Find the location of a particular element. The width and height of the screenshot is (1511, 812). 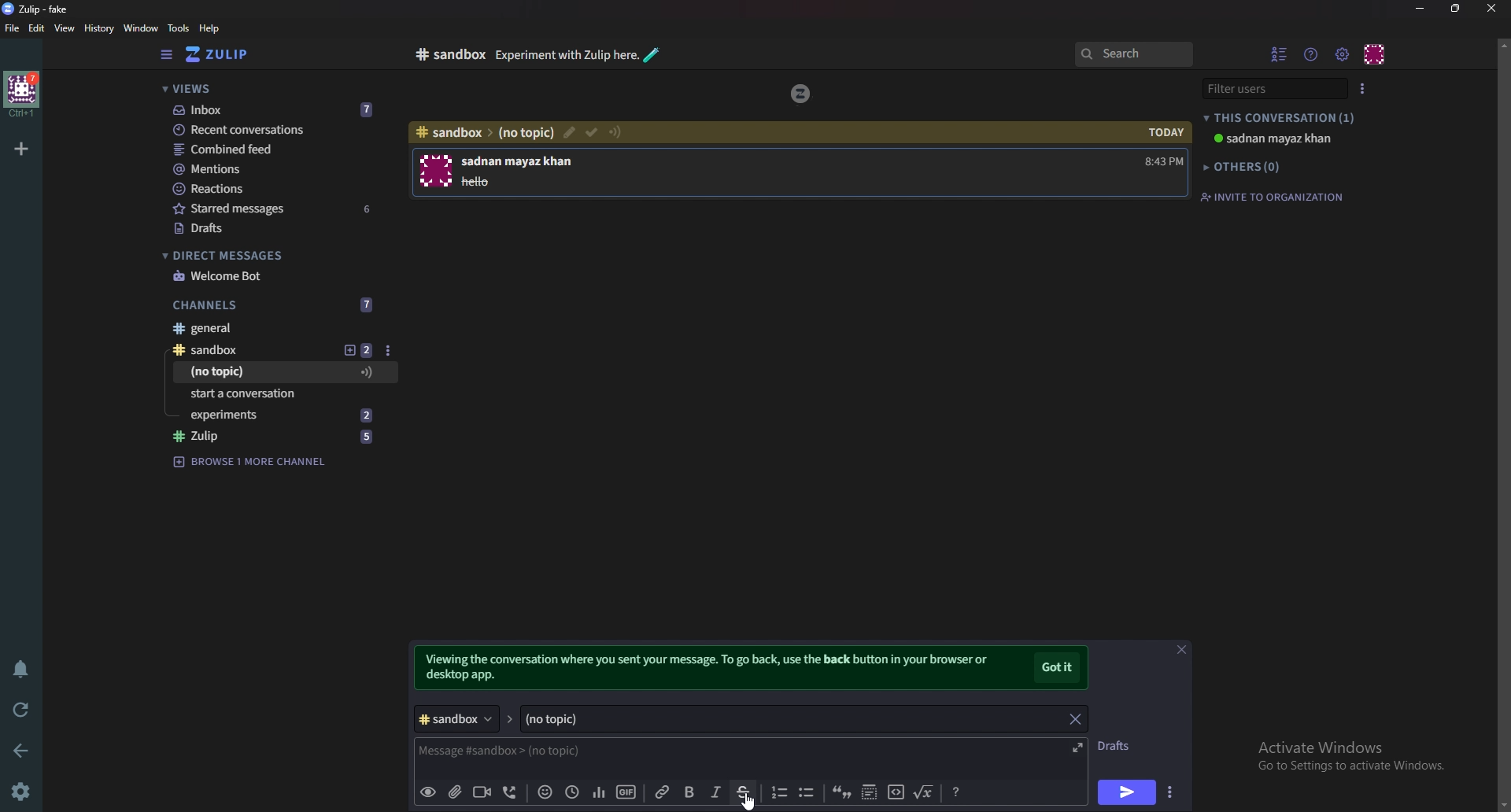

Global time is located at coordinates (572, 792).